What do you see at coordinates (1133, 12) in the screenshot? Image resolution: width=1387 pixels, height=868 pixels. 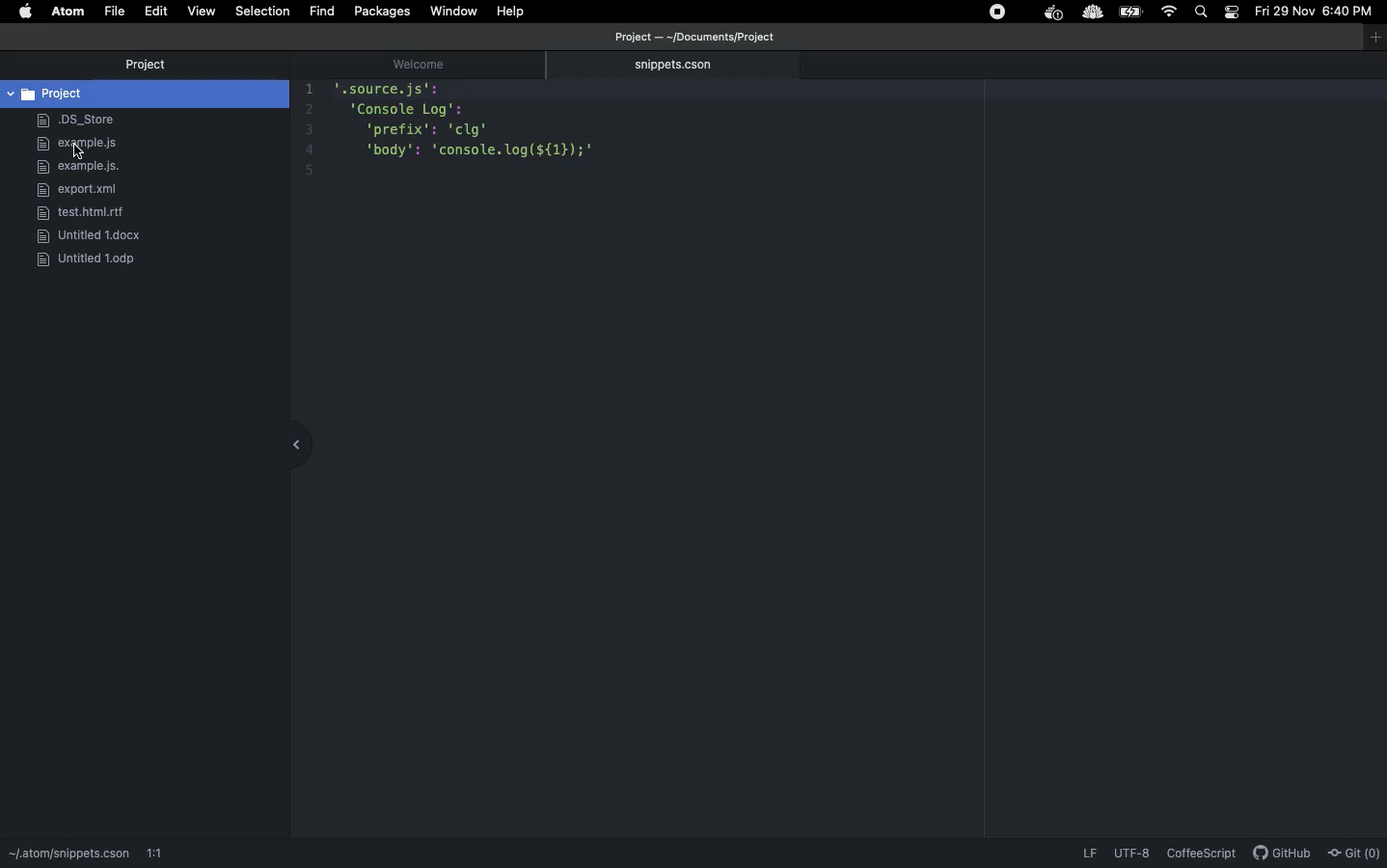 I see `Charge` at bounding box center [1133, 12].